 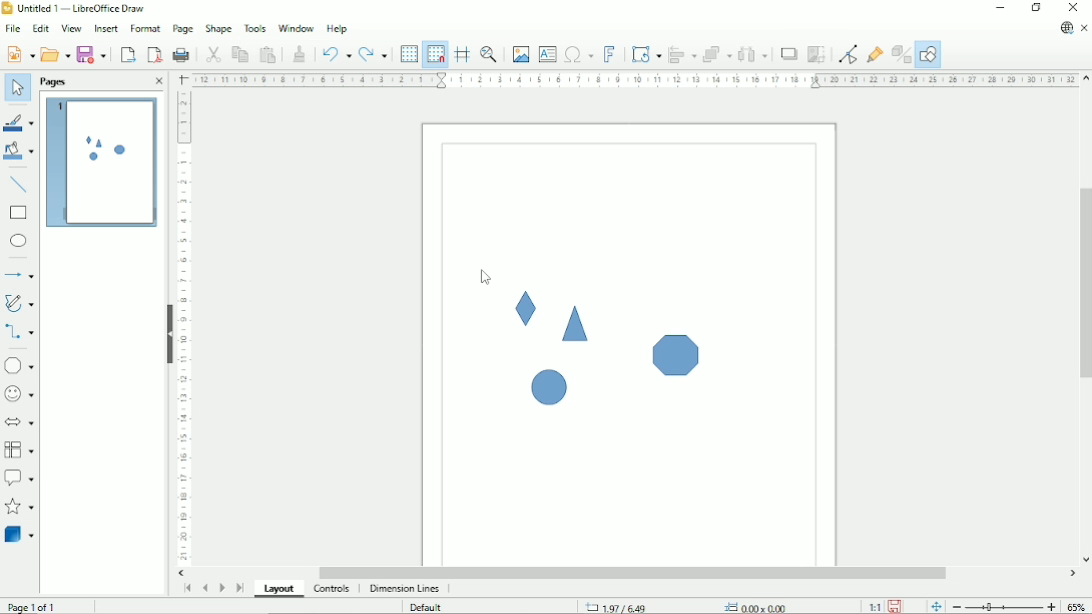 What do you see at coordinates (19, 394) in the screenshot?
I see `Symbol shapes` at bounding box center [19, 394].